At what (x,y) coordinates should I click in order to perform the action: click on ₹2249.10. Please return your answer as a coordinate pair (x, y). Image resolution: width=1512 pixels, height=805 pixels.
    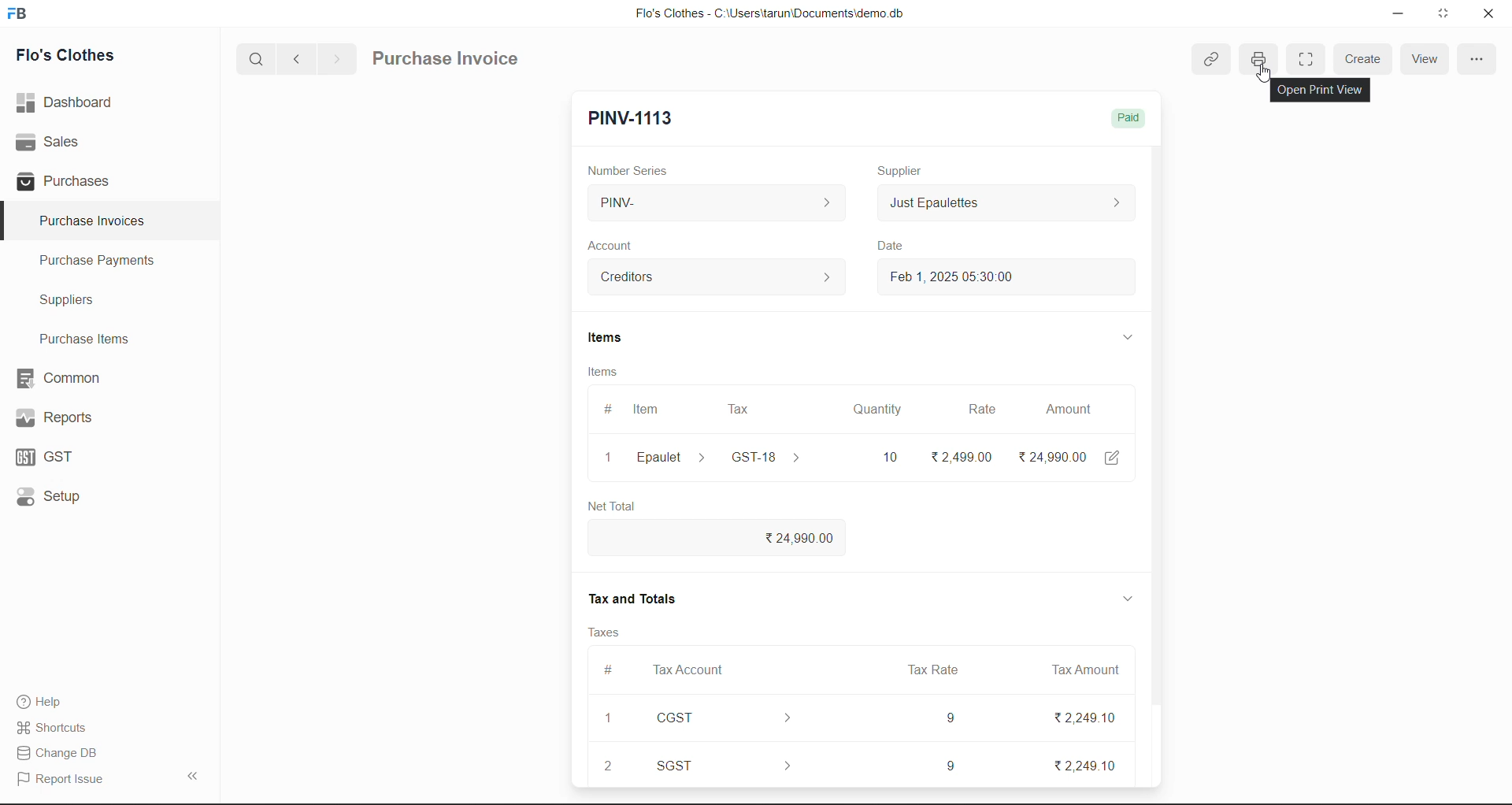
    Looking at the image, I should click on (1078, 722).